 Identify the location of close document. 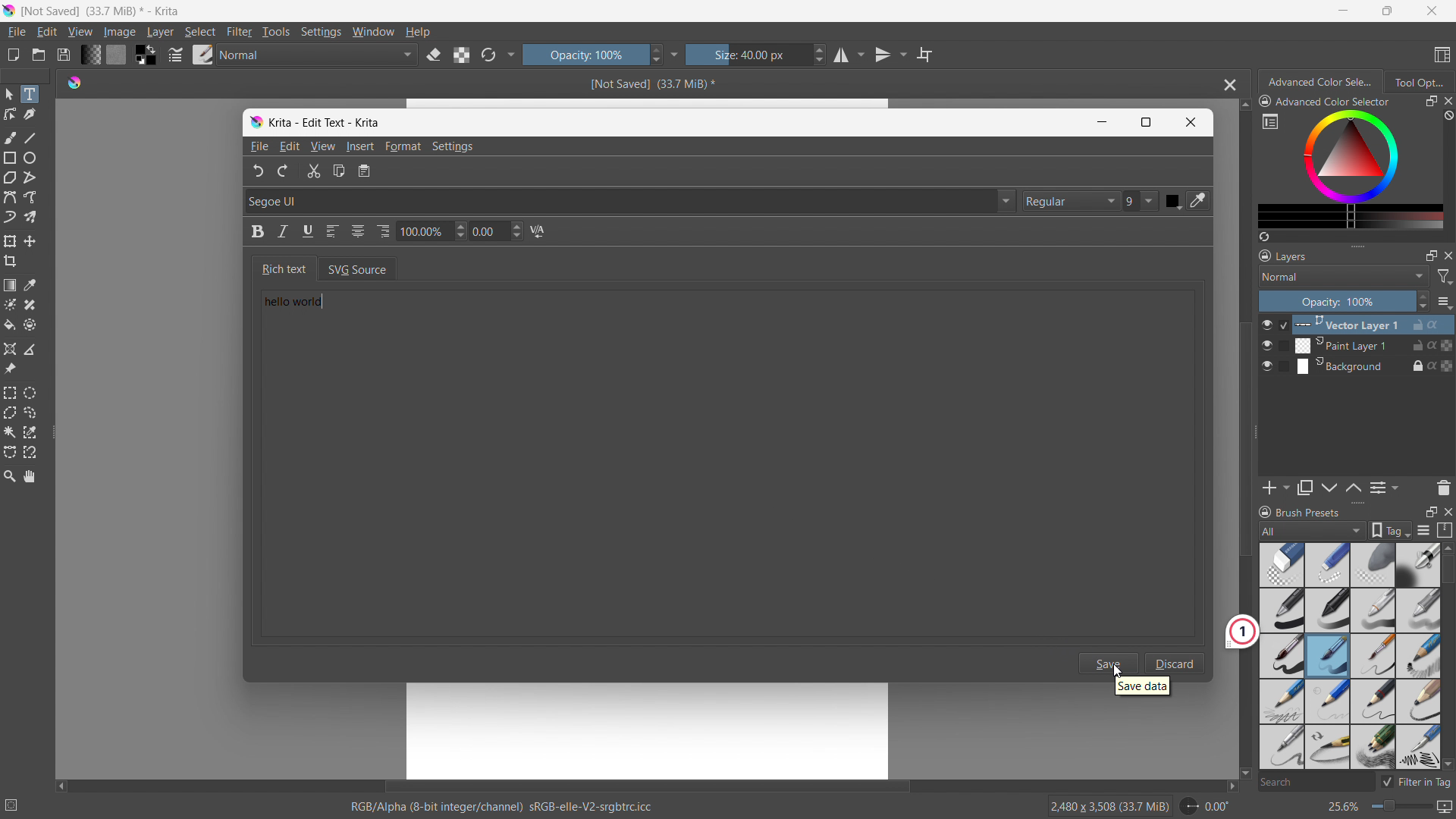
(1226, 85).